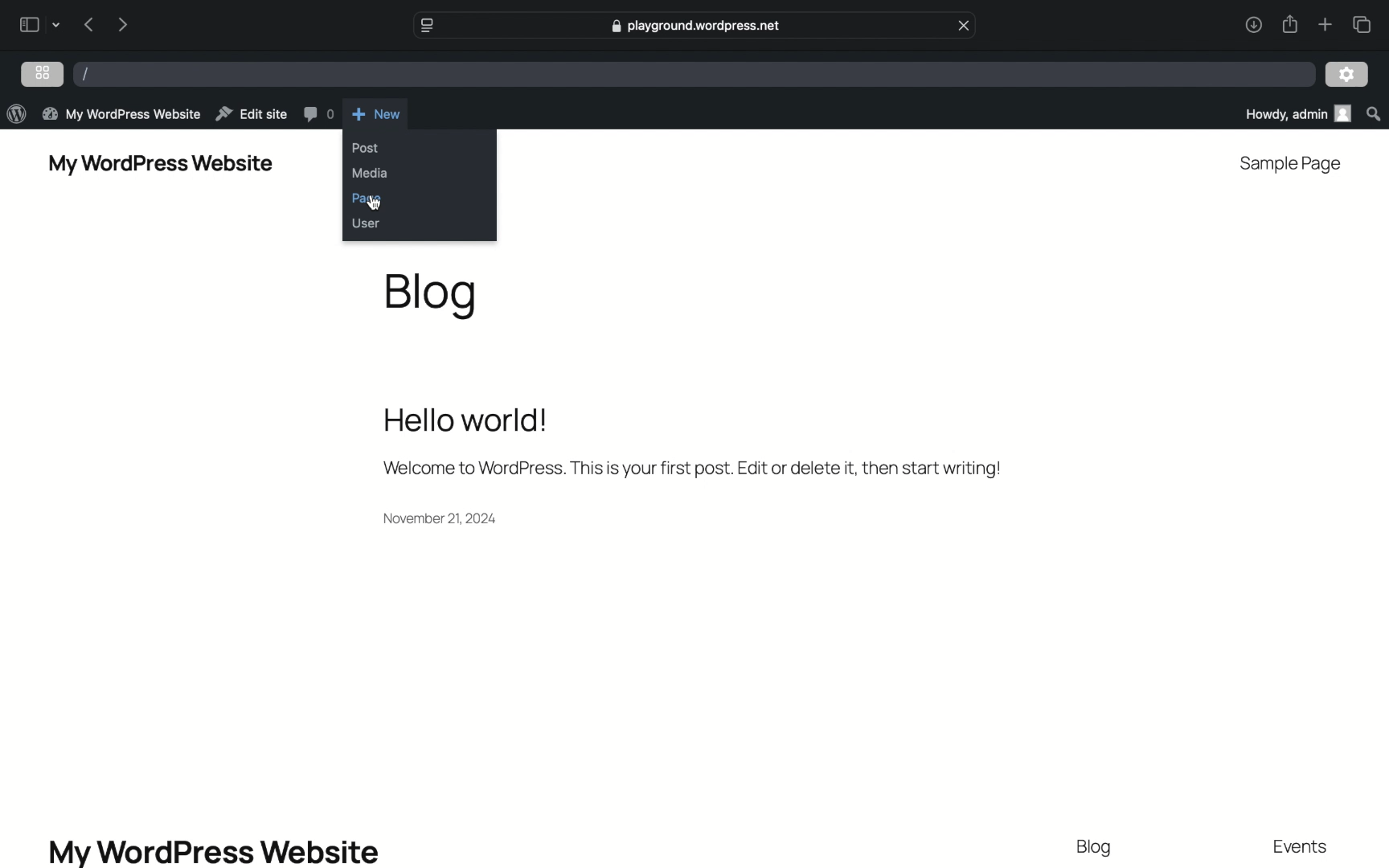  What do you see at coordinates (1364, 24) in the screenshot?
I see `show tab overview` at bounding box center [1364, 24].